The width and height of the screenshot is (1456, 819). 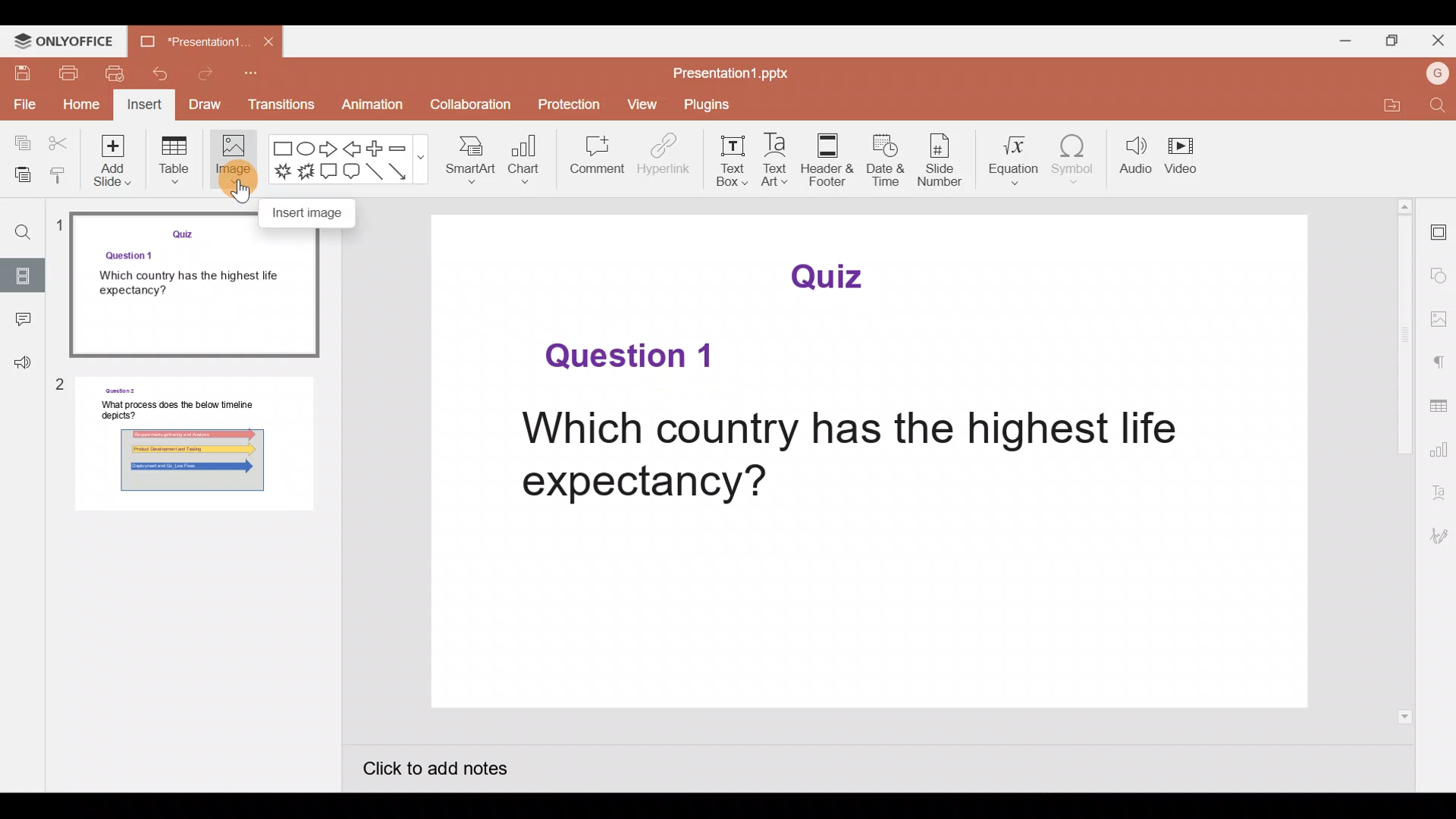 I want to click on Save, so click(x=24, y=76).